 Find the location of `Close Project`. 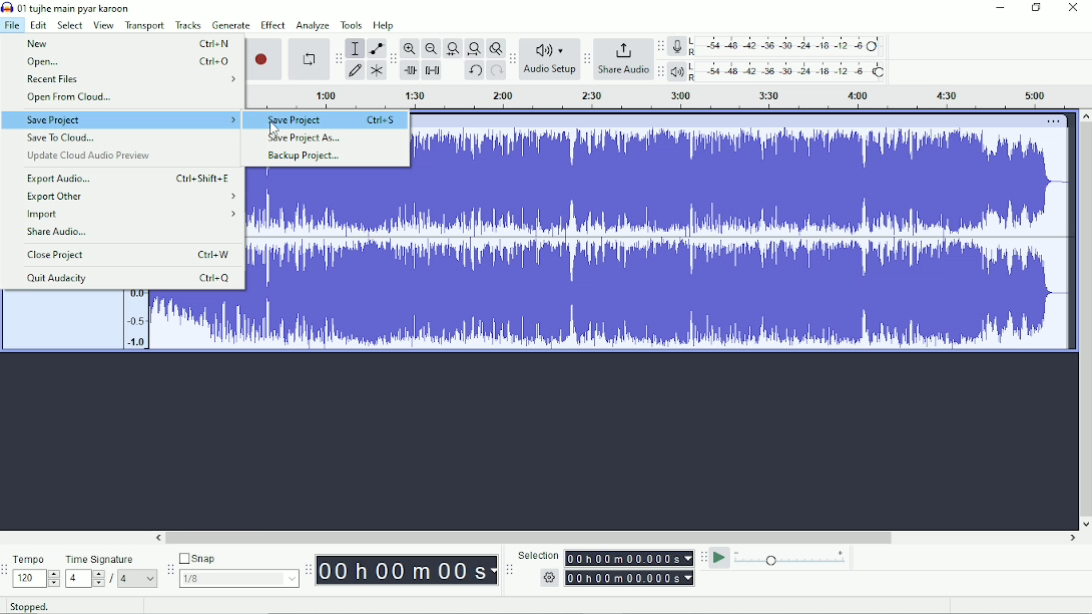

Close Project is located at coordinates (132, 255).